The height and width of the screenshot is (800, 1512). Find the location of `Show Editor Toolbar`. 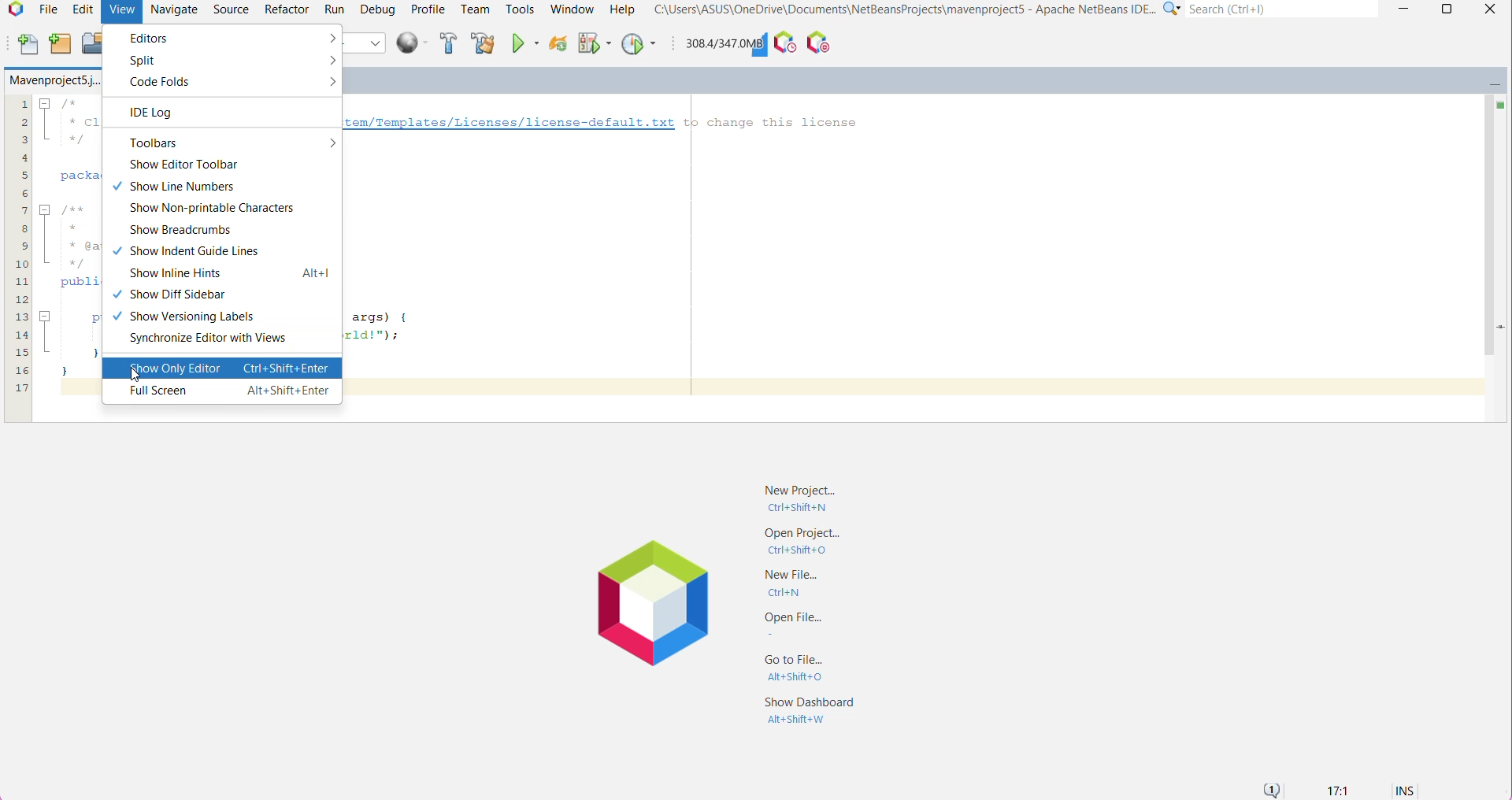

Show Editor Toolbar is located at coordinates (191, 165).